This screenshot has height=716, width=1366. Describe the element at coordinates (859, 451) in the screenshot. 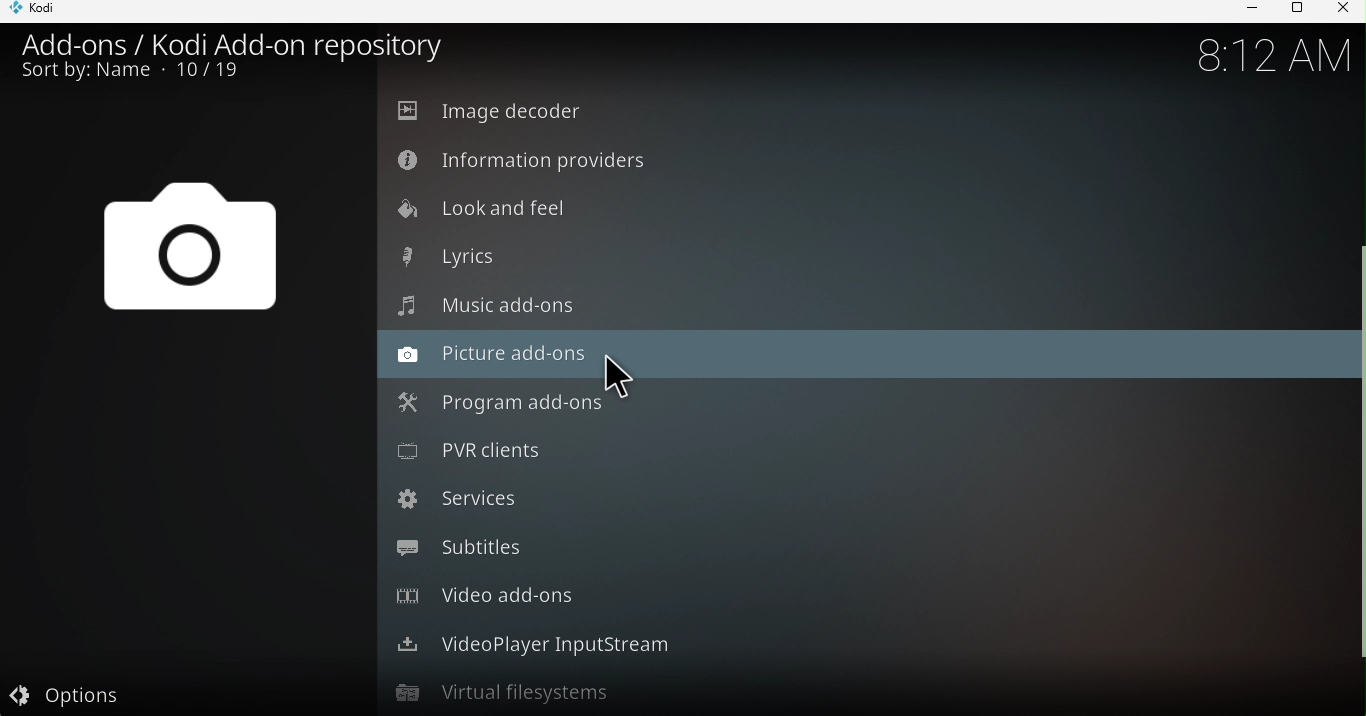

I see `PVR clients` at that location.